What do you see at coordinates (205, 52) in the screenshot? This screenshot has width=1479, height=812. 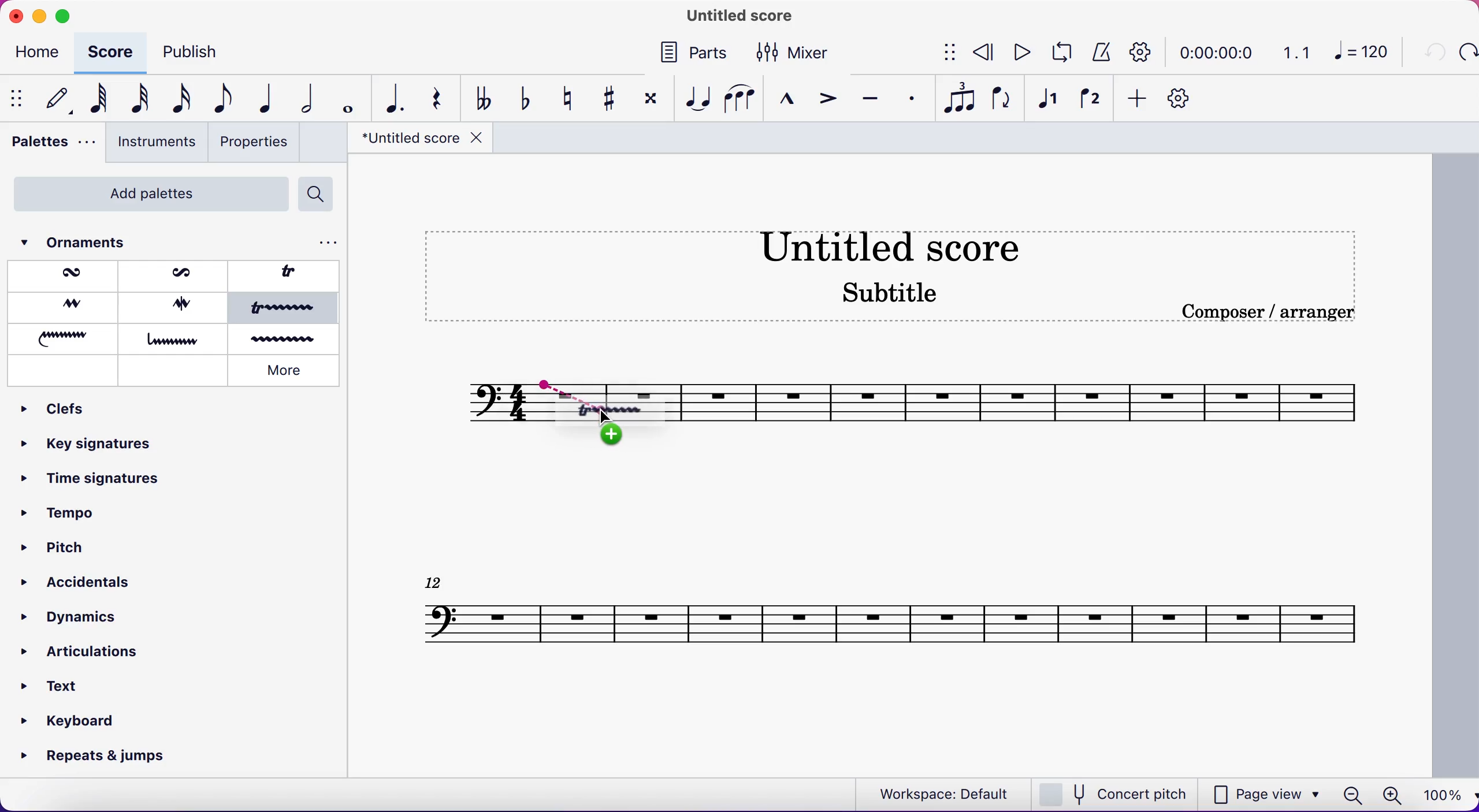 I see `publish` at bounding box center [205, 52].